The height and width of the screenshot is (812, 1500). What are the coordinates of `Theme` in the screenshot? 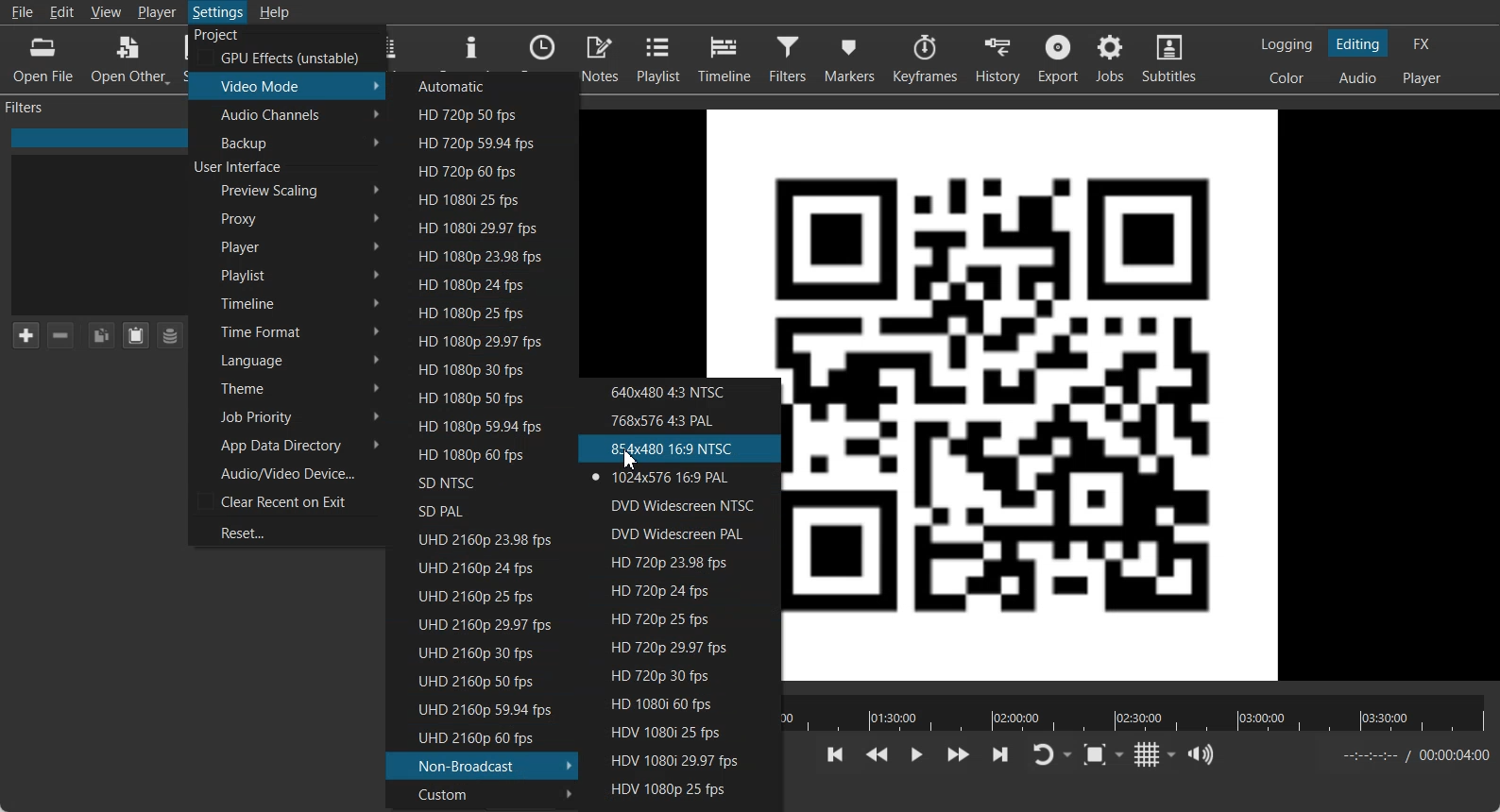 It's located at (285, 387).